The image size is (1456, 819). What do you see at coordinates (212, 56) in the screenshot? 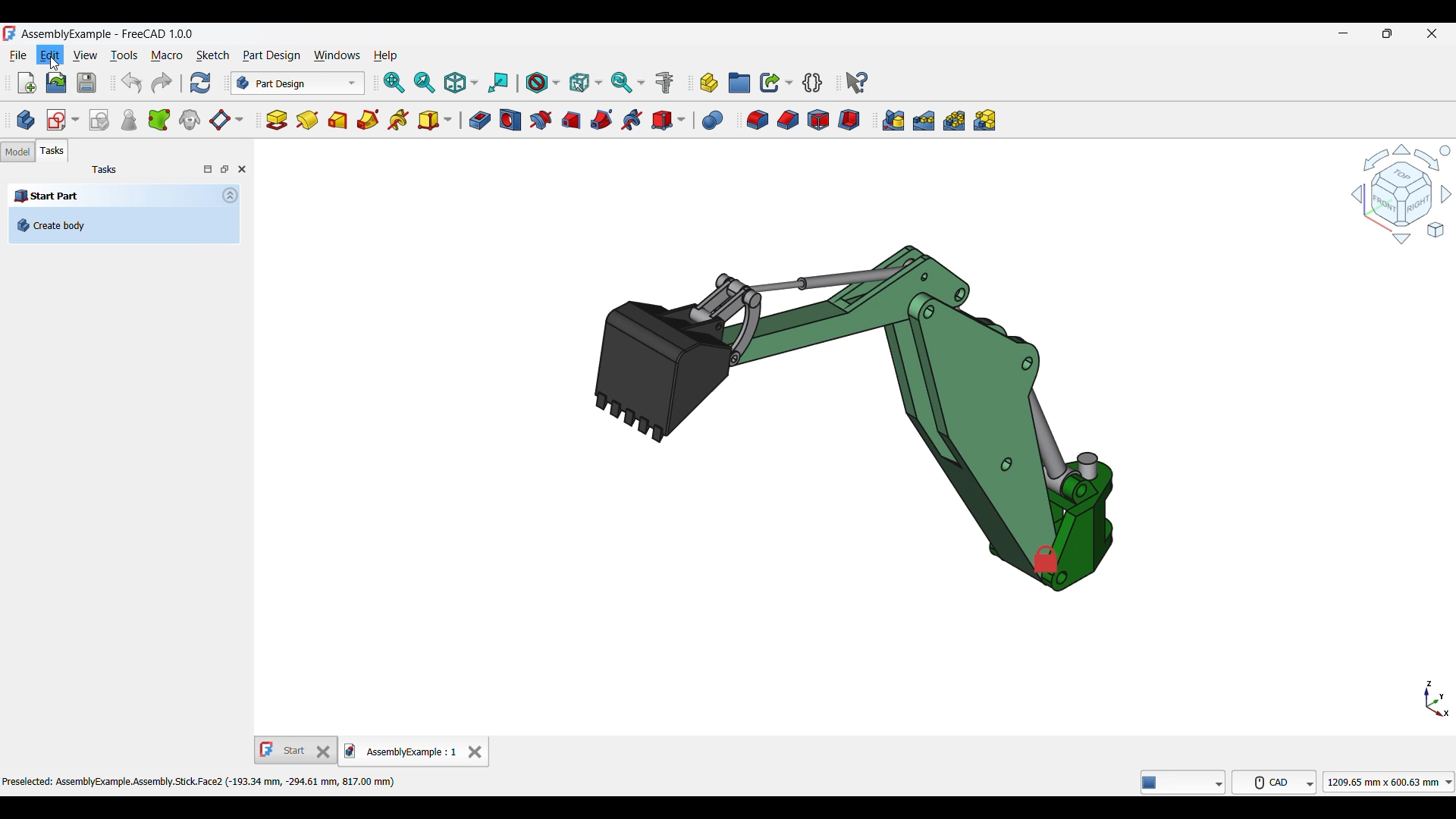
I see `Sketch menu` at bounding box center [212, 56].